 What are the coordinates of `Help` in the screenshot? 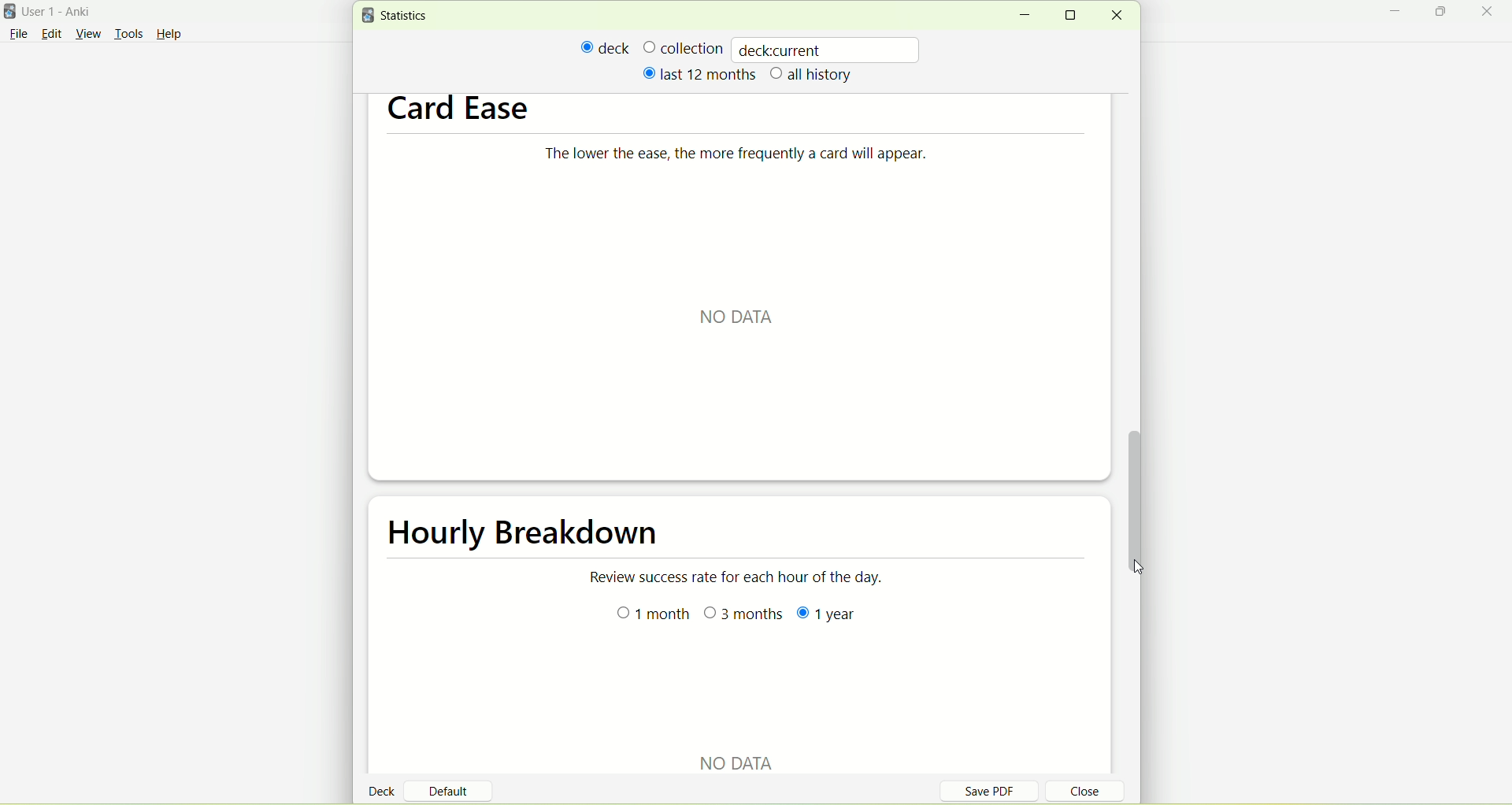 It's located at (169, 36).